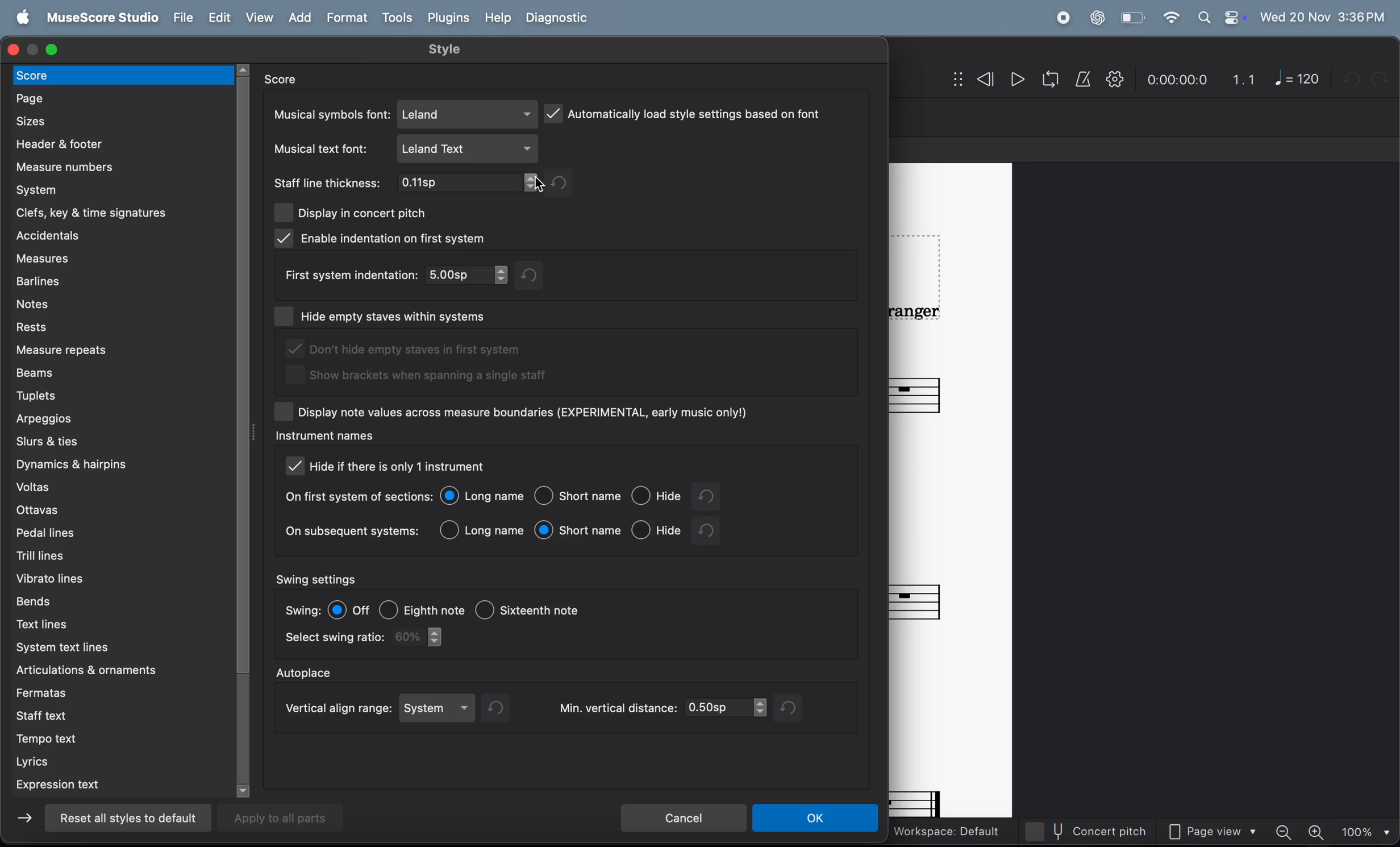 This screenshot has height=847, width=1400. Describe the element at coordinates (1221, 18) in the screenshot. I see `apple widgets` at that location.